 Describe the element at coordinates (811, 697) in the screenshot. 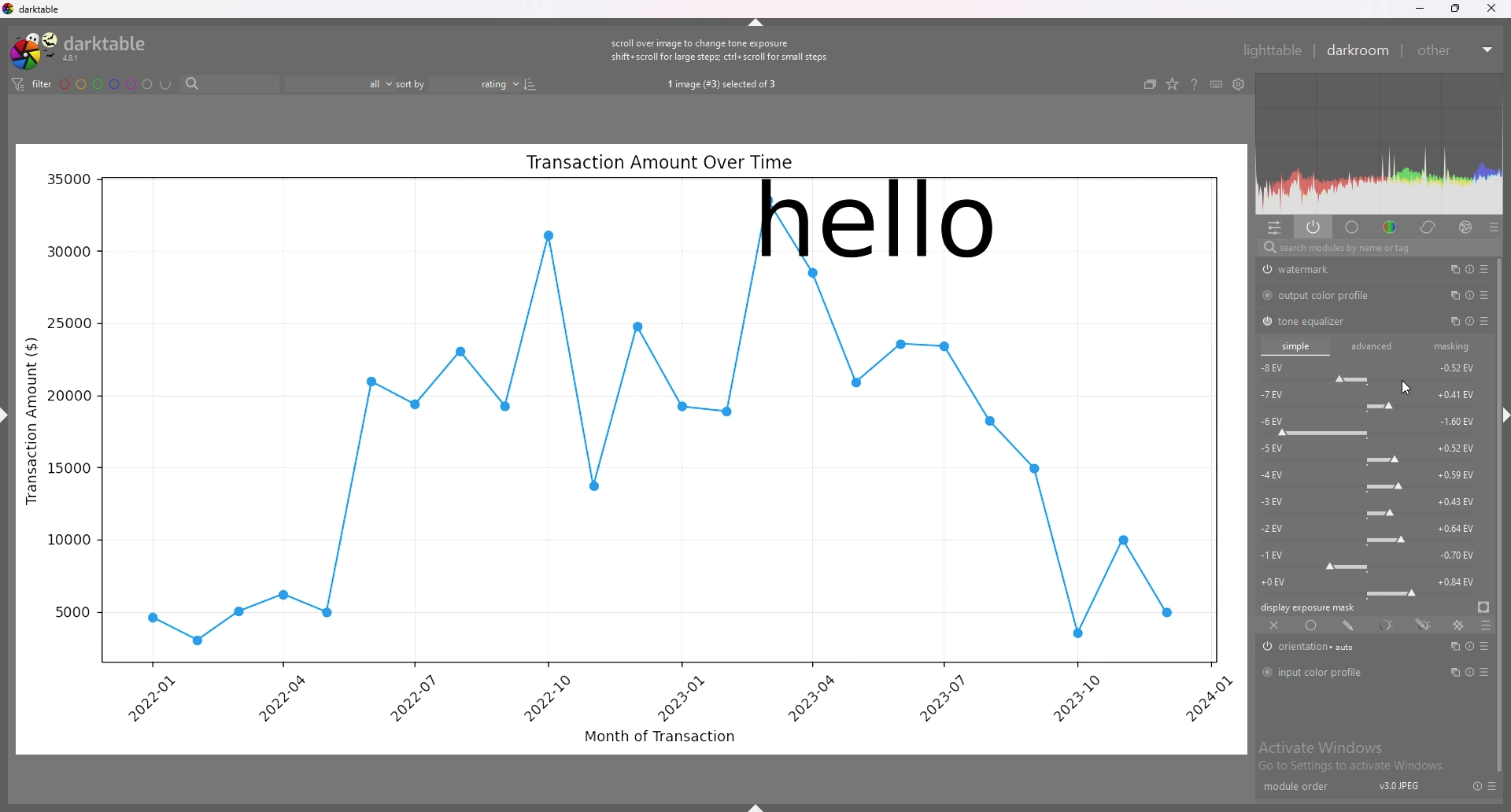

I see `2023-04` at that location.